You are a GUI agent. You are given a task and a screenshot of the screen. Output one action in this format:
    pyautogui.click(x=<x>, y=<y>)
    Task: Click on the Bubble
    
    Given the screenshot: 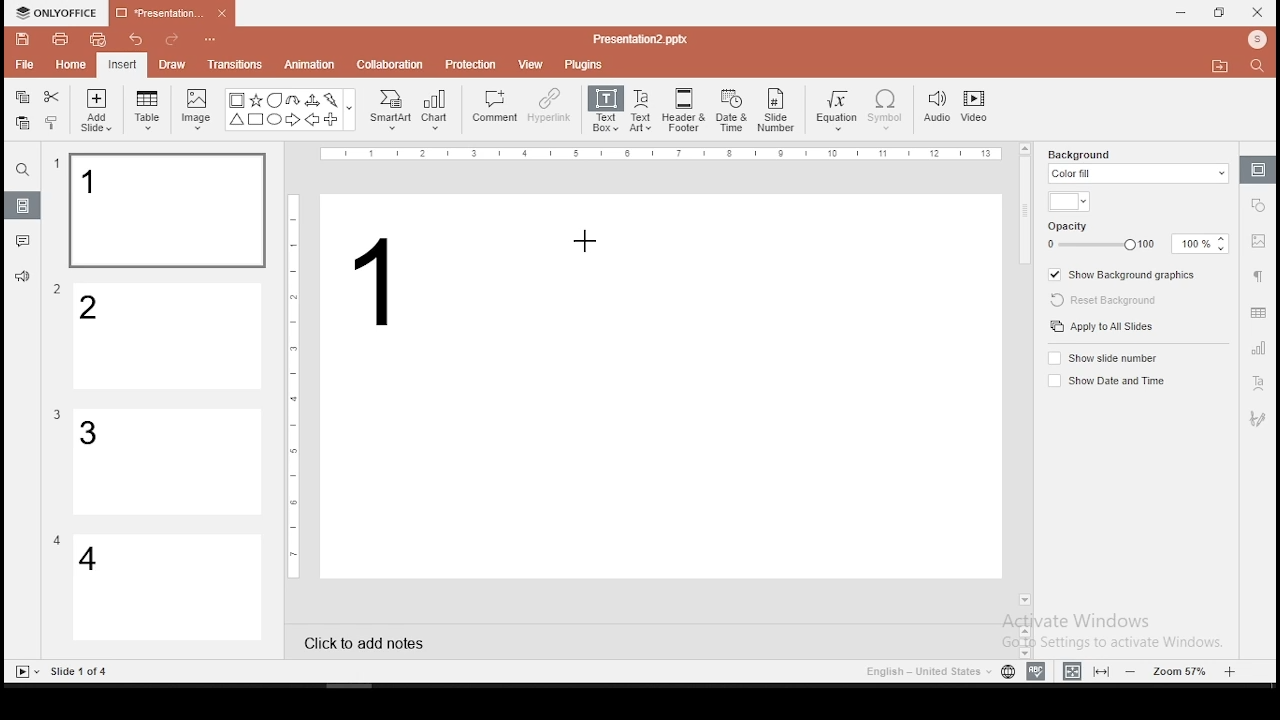 What is the action you would take?
    pyautogui.click(x=274, y=100)
    